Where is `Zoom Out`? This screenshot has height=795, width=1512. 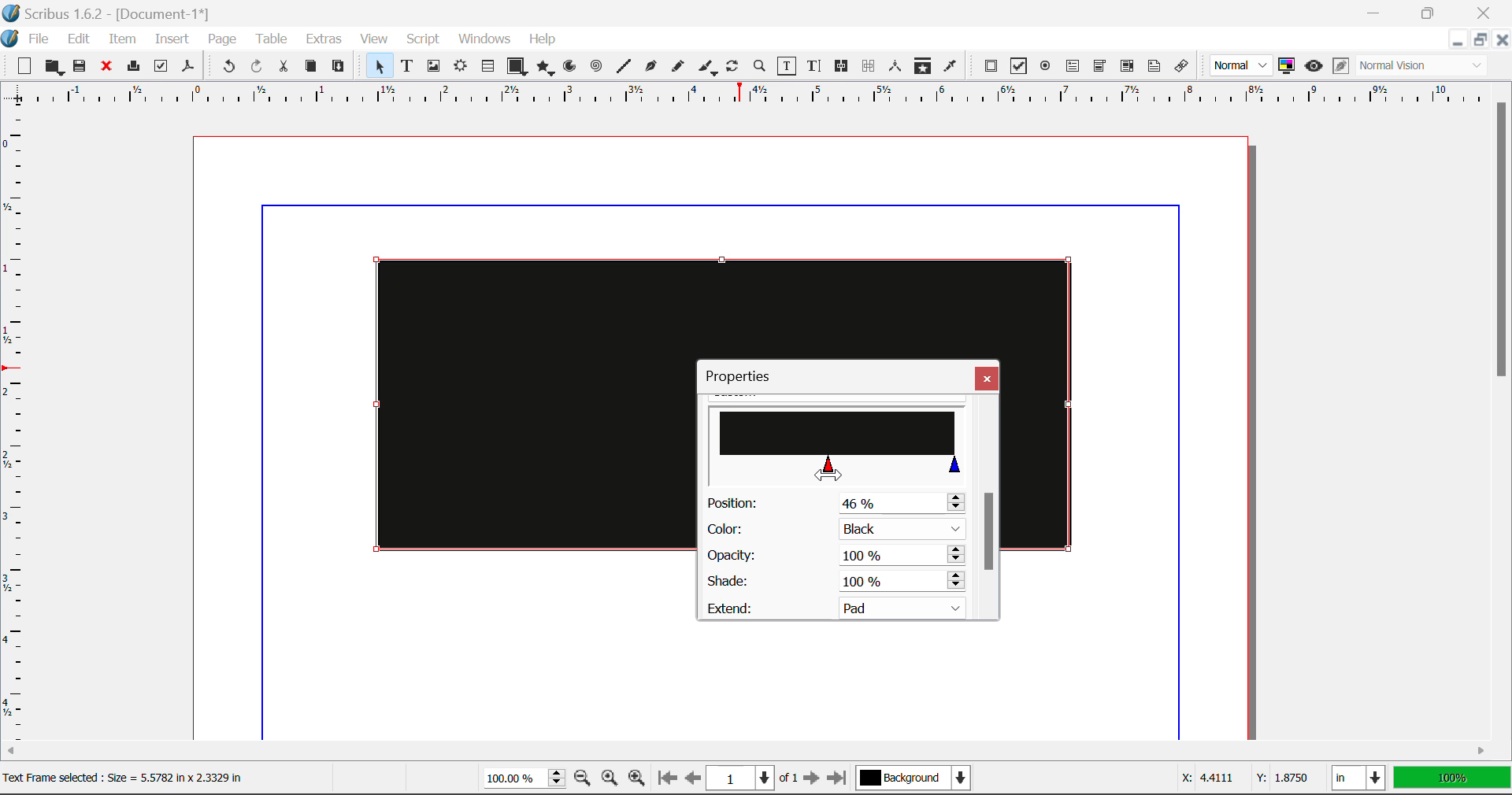 Zoom Out is located at coordinates (584, 779).